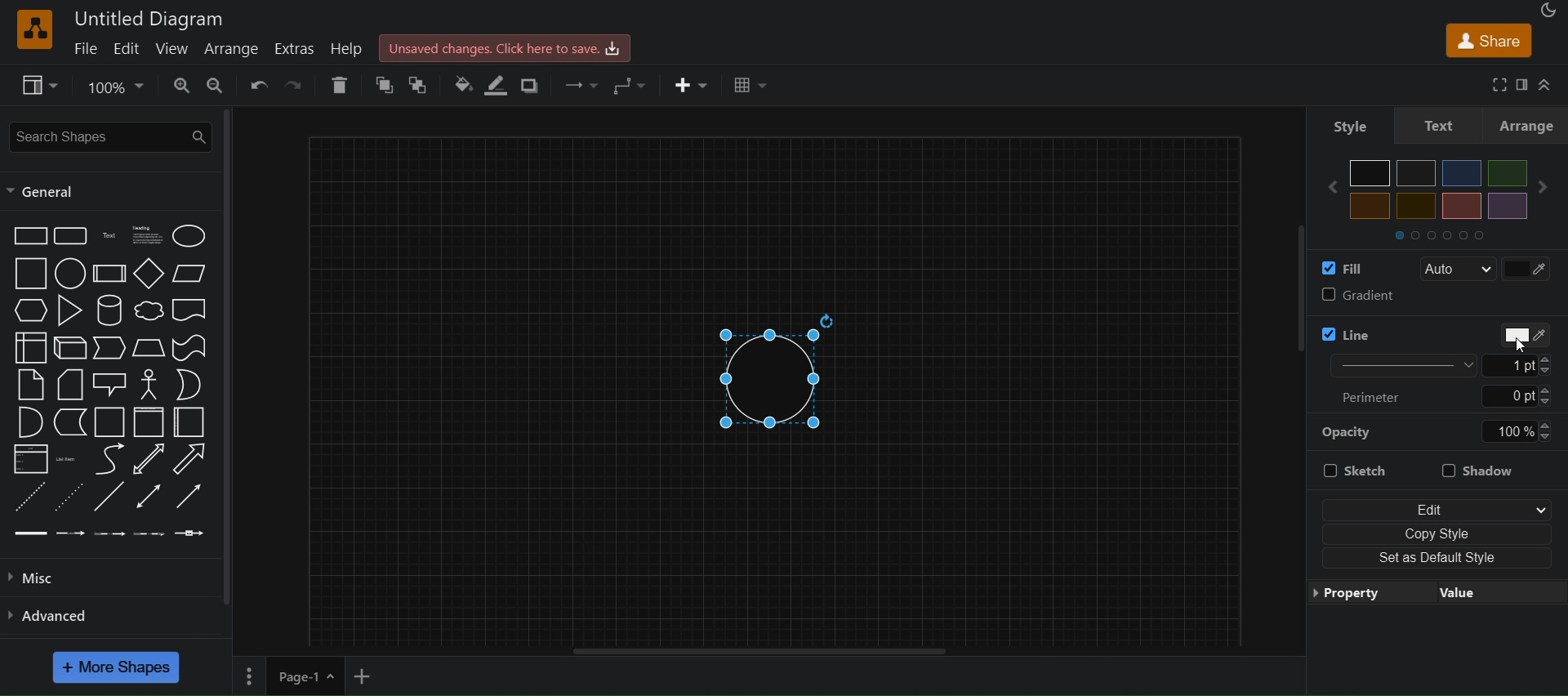 This screenshot has width=1568, height=696. Describe the element at coordinates (68, 275) in the screenshot. I see `circle` at that location.